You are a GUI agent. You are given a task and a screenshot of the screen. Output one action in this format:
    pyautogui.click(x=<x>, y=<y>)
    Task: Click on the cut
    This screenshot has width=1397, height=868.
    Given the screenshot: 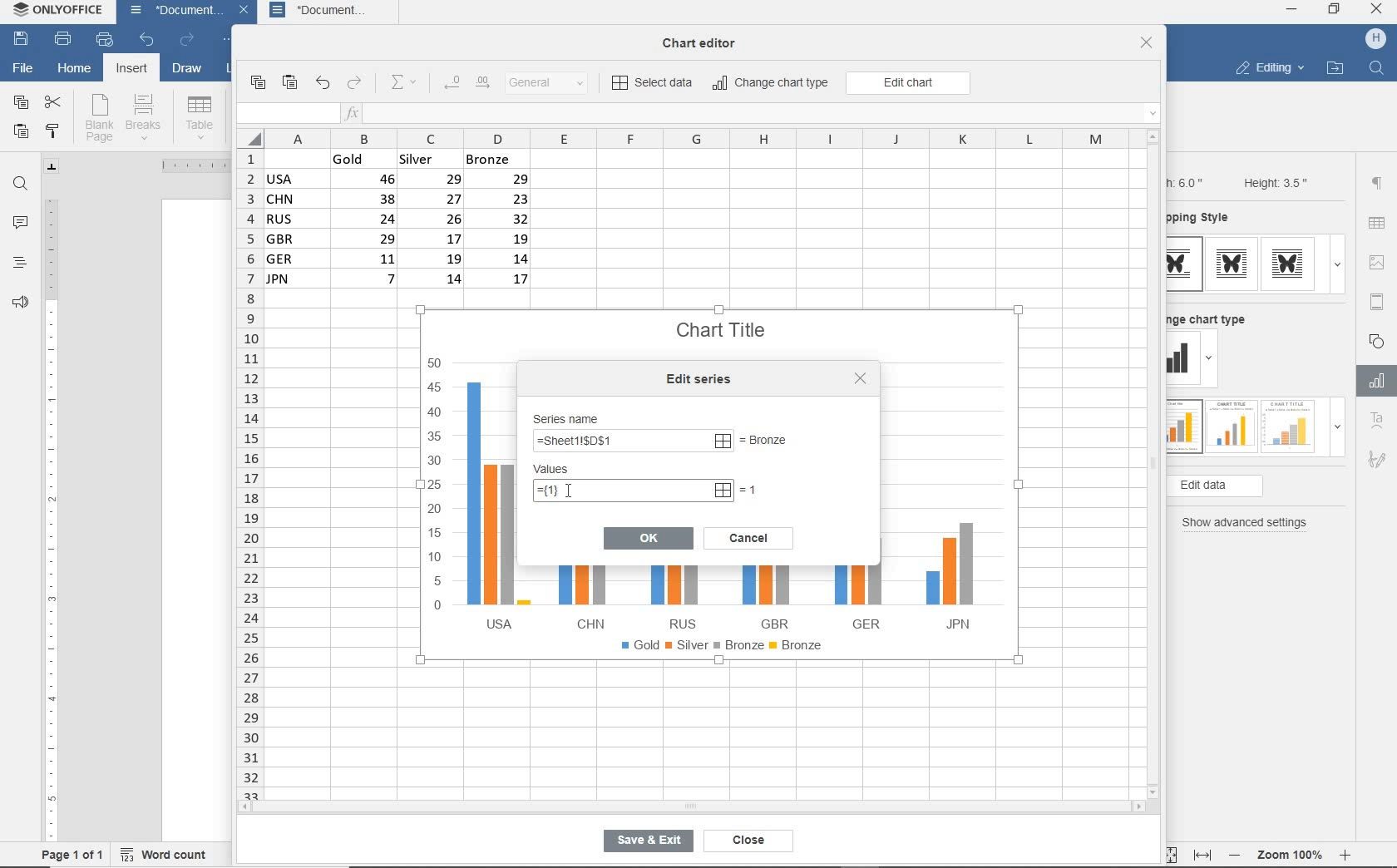 What is the action you would take?
    pyautogui.click(x=54, y=101)
    